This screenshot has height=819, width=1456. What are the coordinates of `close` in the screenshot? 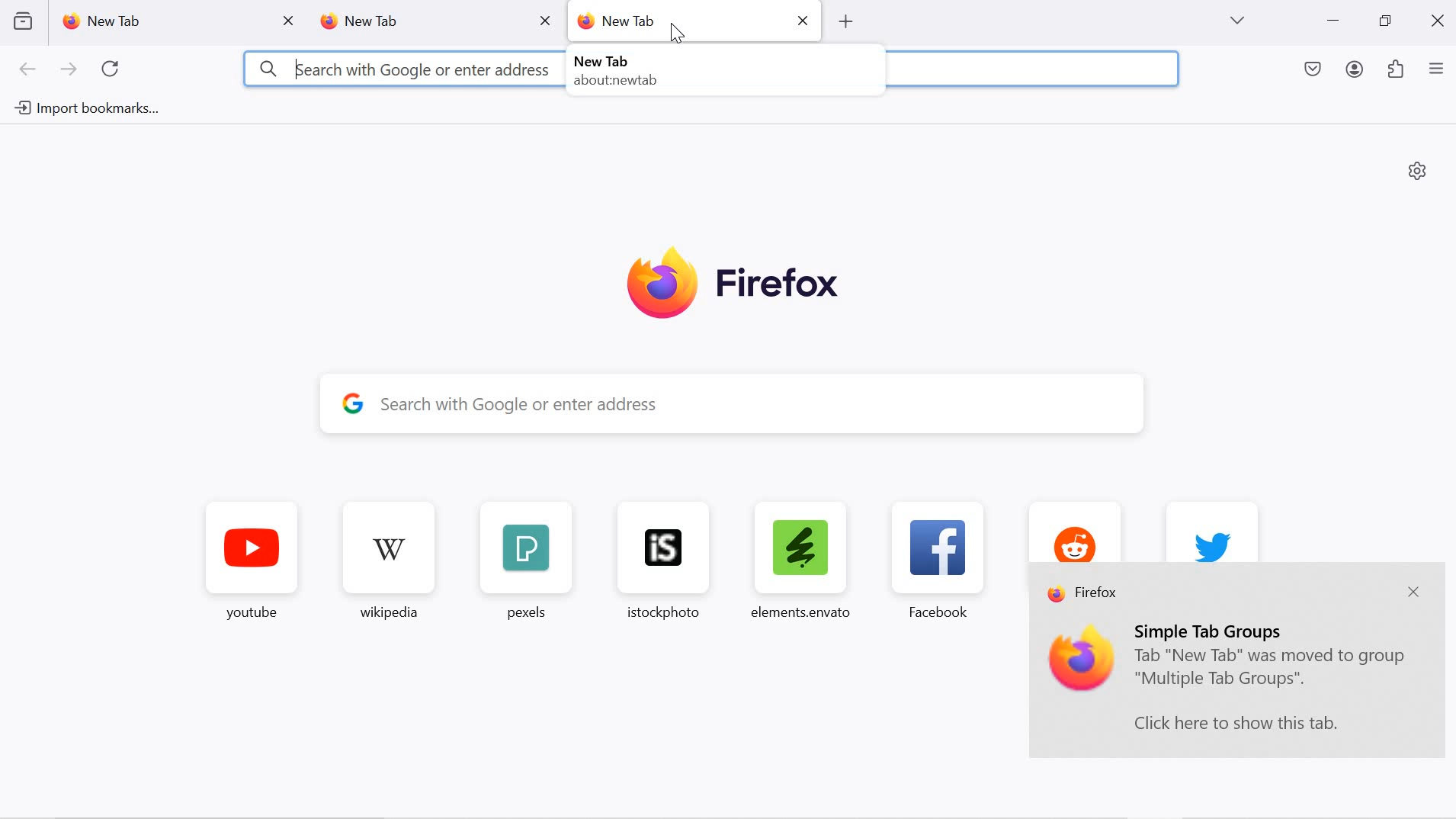 It's located at (805, 19).